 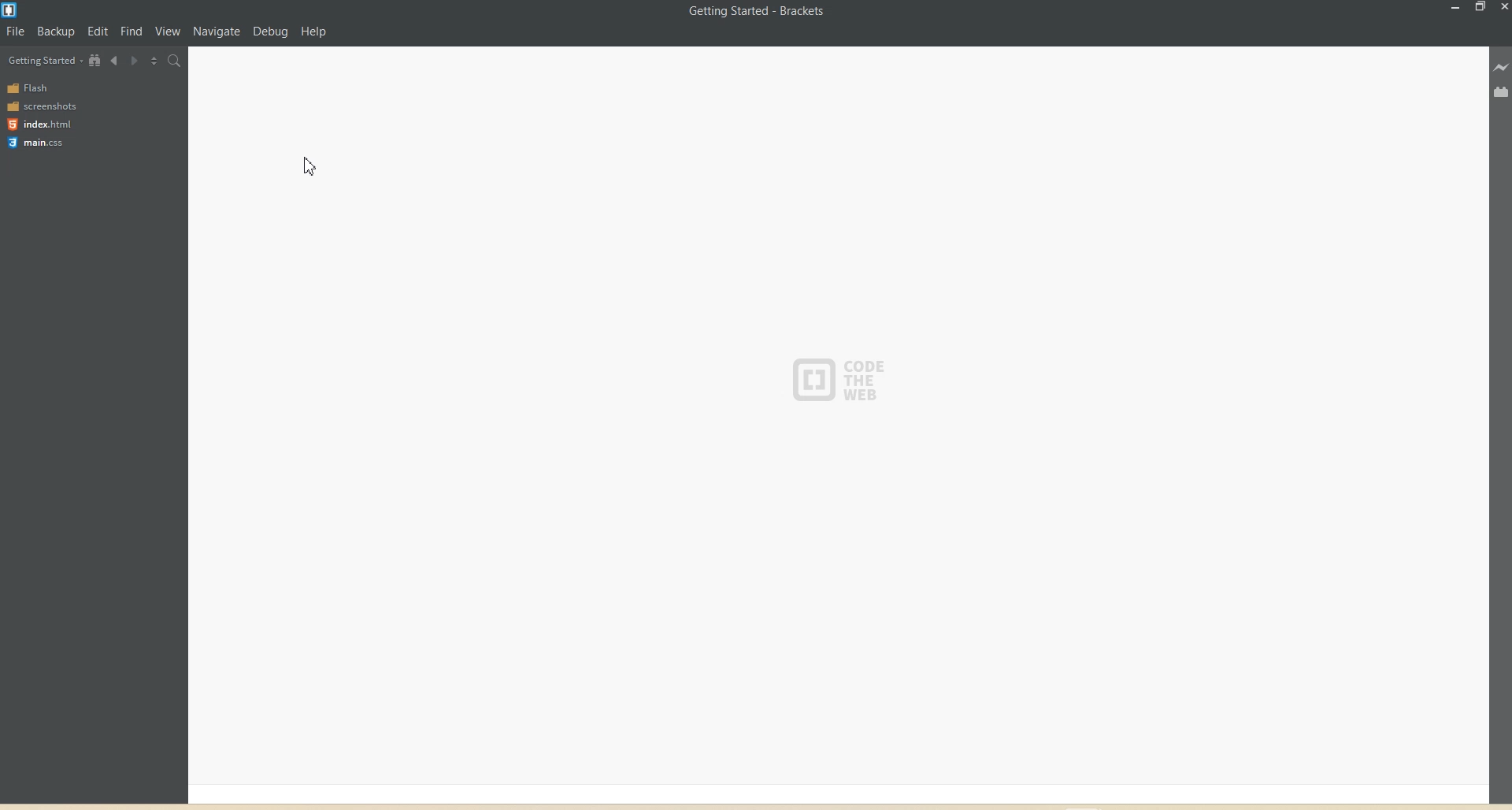 What do you see at coordinates (132, 28) in the screenshot?
I see `Find` at bounding box center [132, 28].